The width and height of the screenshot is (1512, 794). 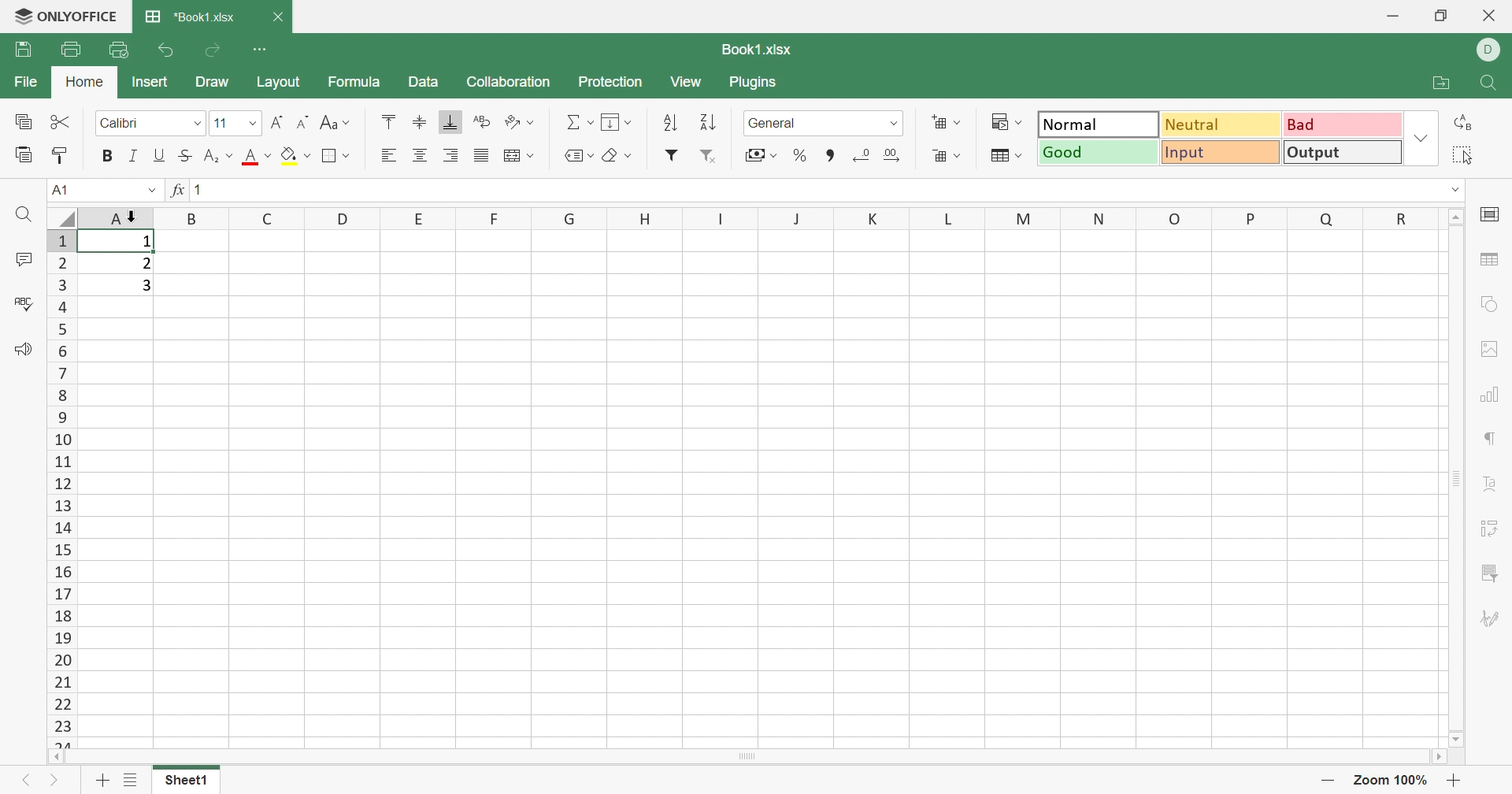 What do you see at coordinates (278, 82) in the screenshot?
I see `Layout` at bounding box center [278, 82].